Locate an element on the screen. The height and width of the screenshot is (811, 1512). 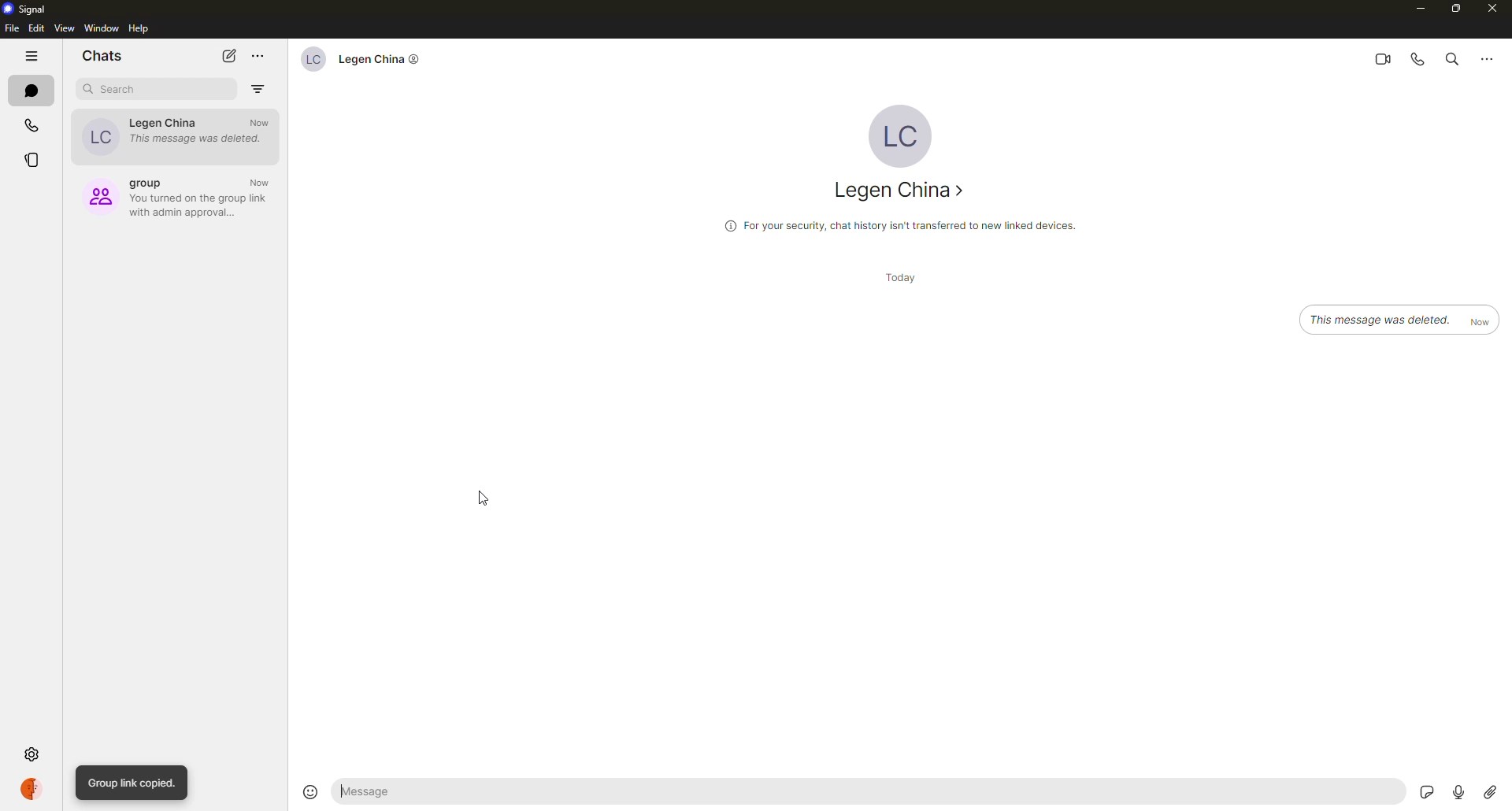
filter is located at coordinates (258, 85).